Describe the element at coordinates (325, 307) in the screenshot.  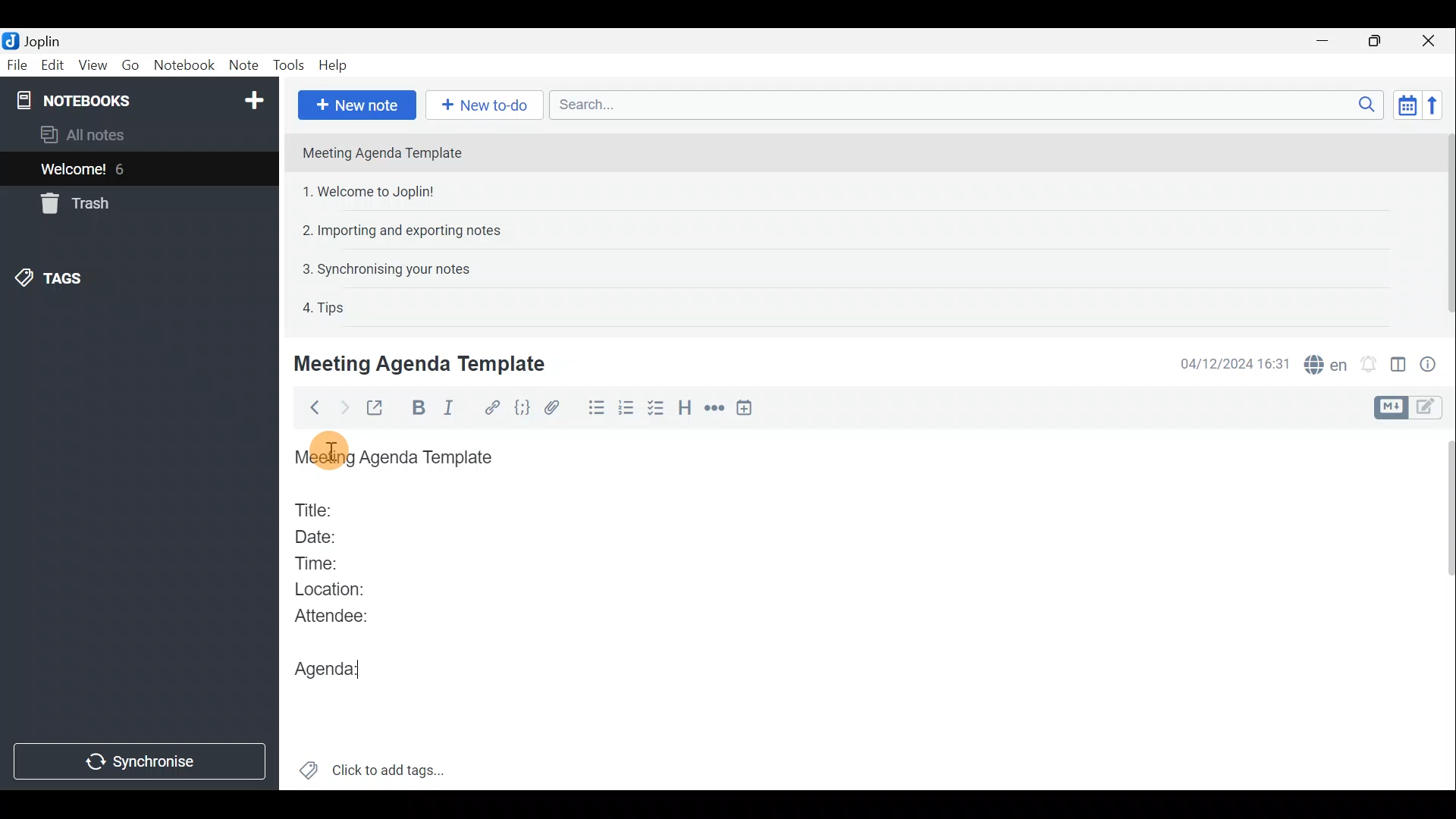
I see `4. Tips` at that location.